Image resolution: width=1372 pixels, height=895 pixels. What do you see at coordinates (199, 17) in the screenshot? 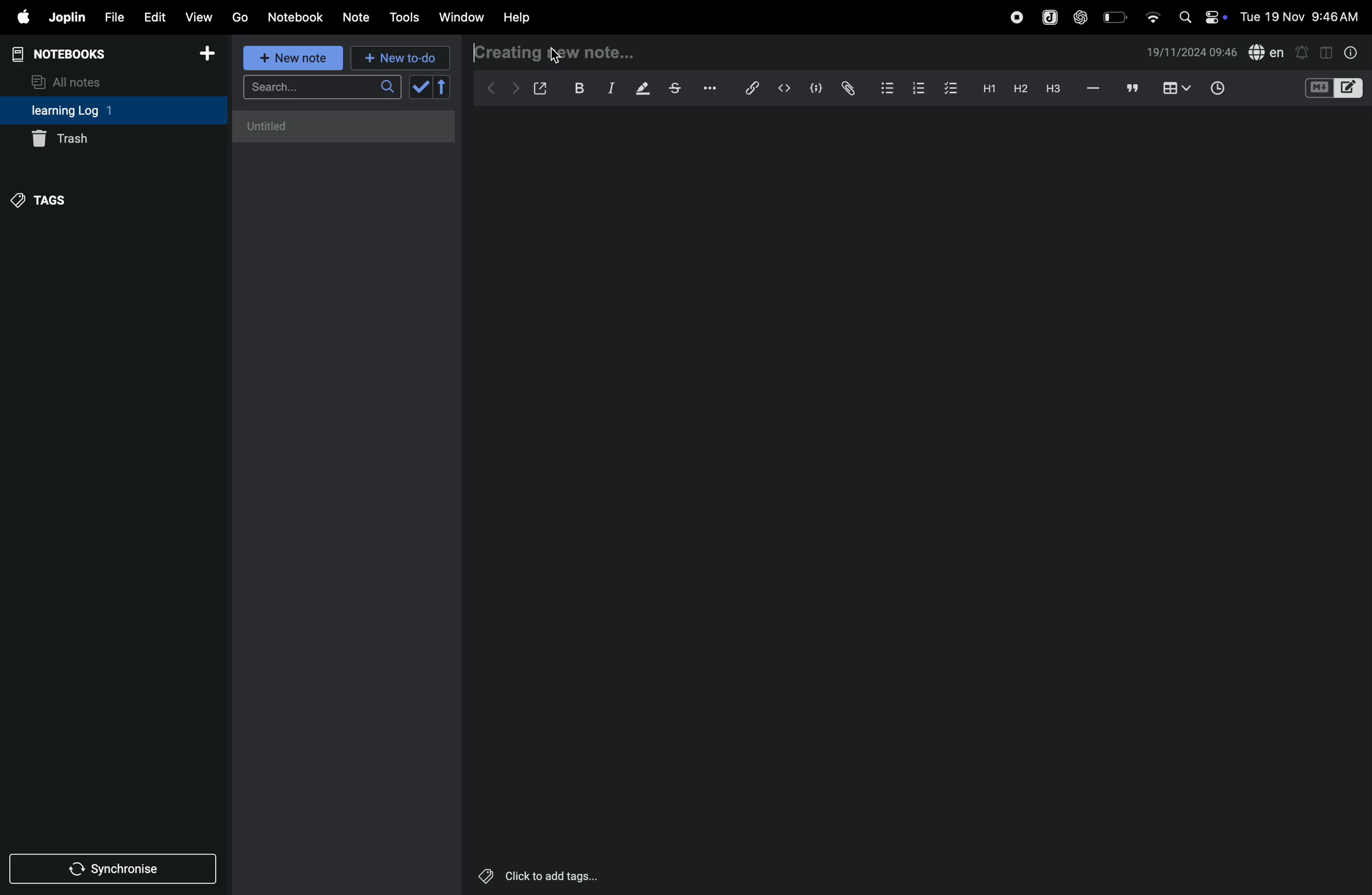
I see `view` at bounding box center [199, 17].